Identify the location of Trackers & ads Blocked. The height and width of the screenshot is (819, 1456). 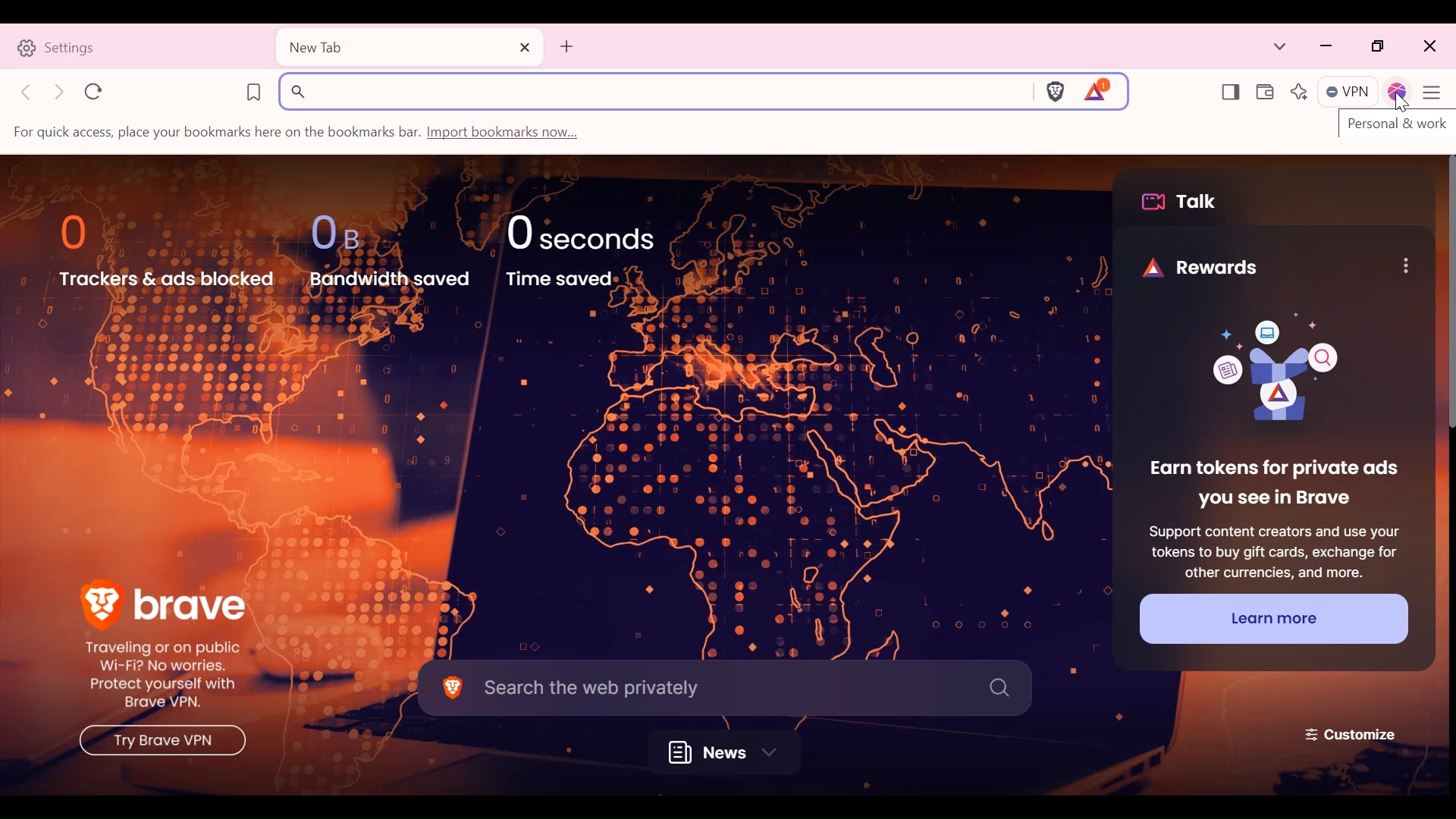
(168, 250).